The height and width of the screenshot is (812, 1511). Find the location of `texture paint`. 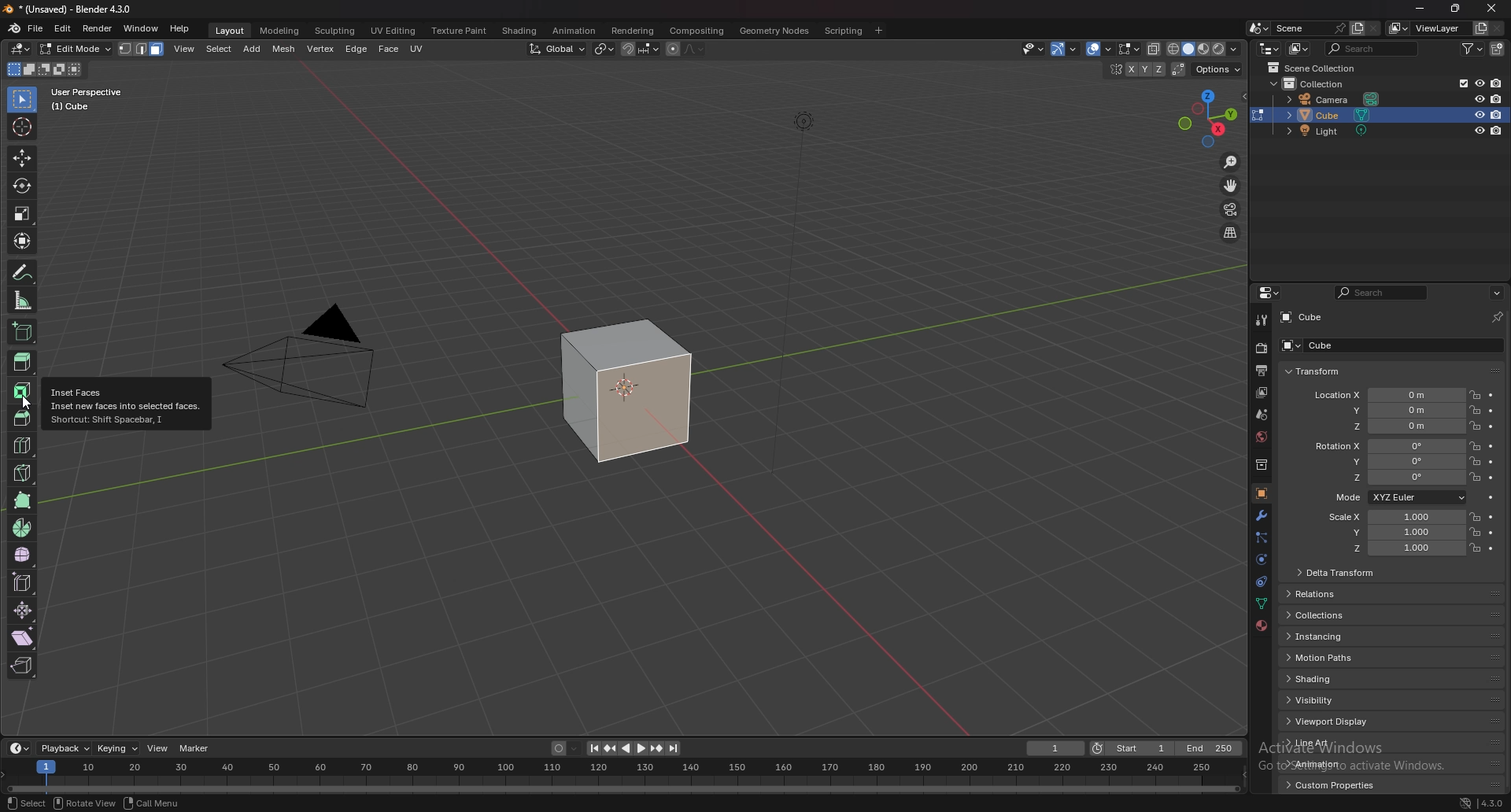

texture paint is located at coordinates (461, 31).